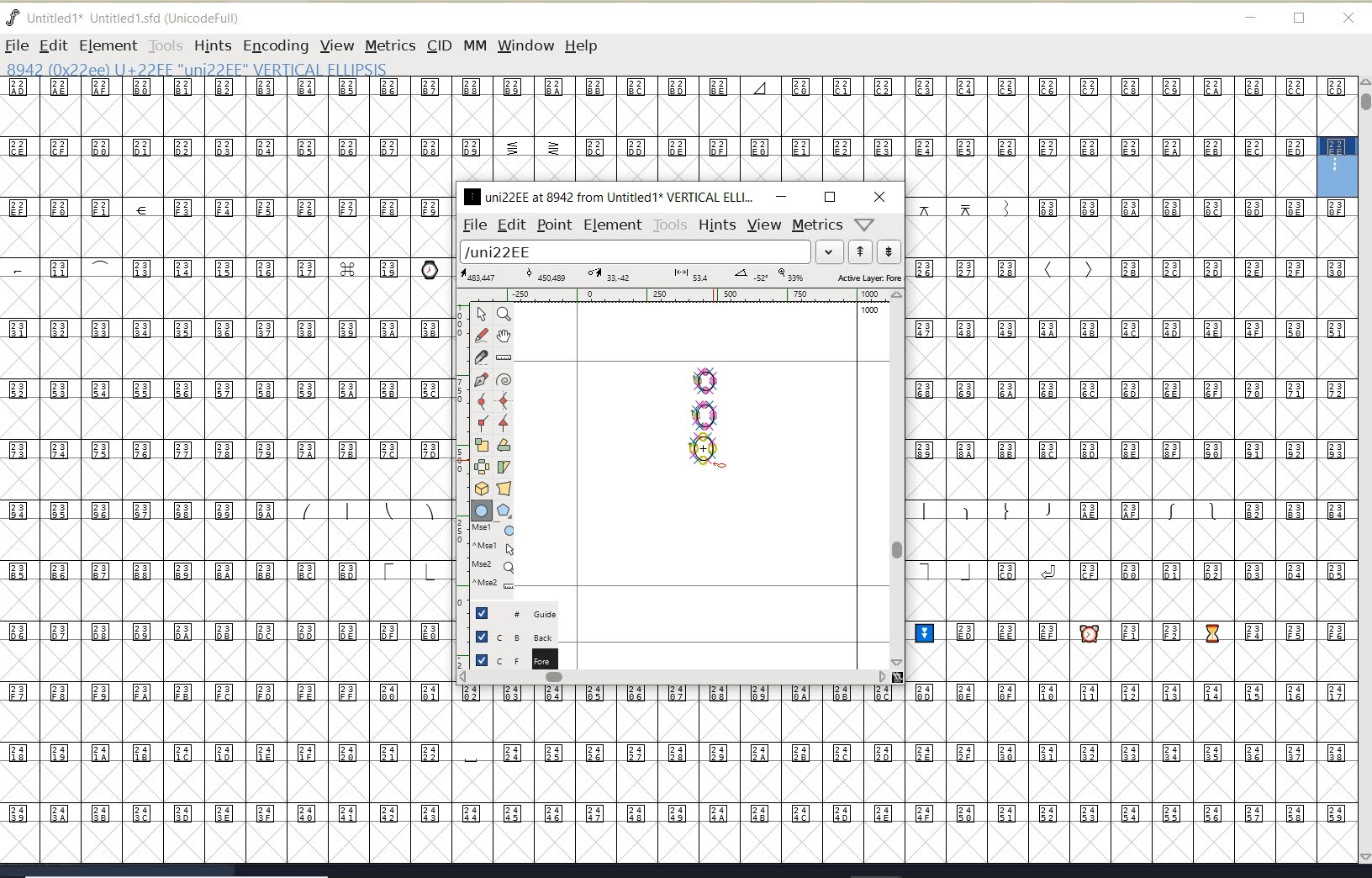  Describe the element at coordinates (719, 464) in the screenshot. I see `ellipse tool` at that location.